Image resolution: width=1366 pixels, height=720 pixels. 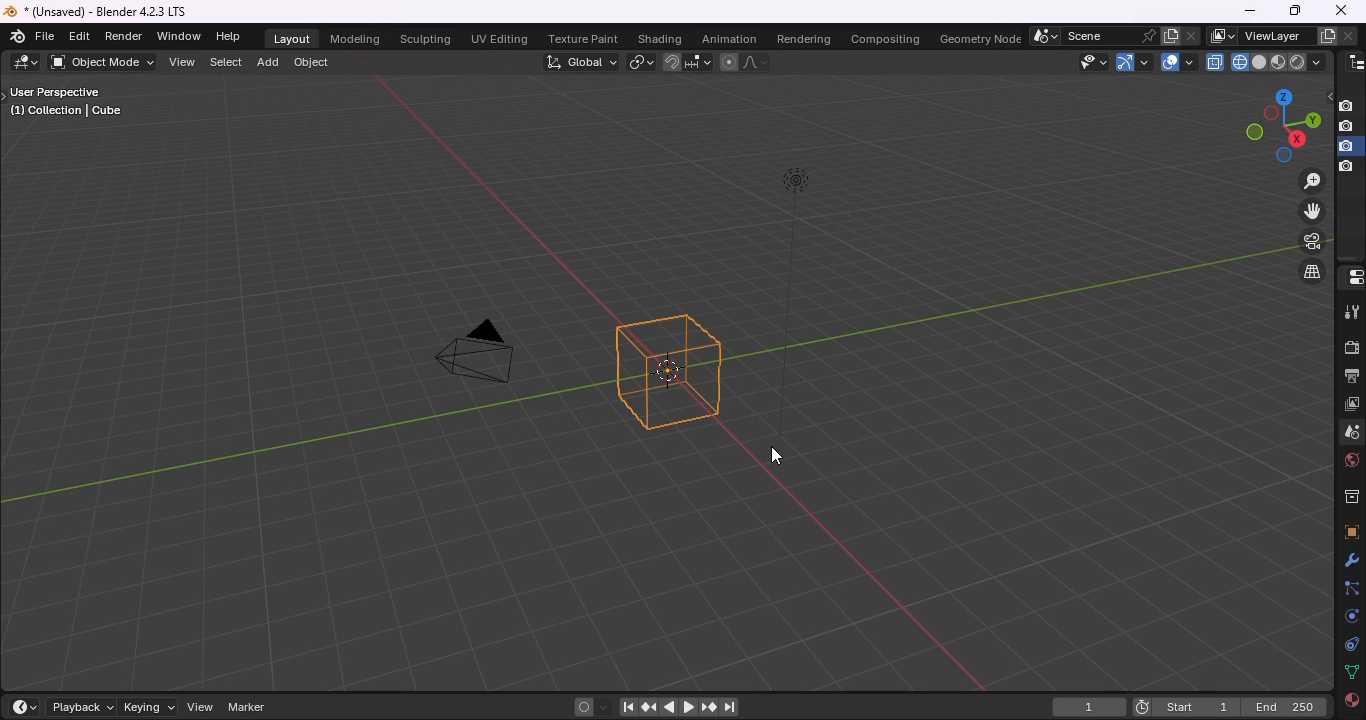 I want to click on toggle x-ray, so click(x=1216, y=62).